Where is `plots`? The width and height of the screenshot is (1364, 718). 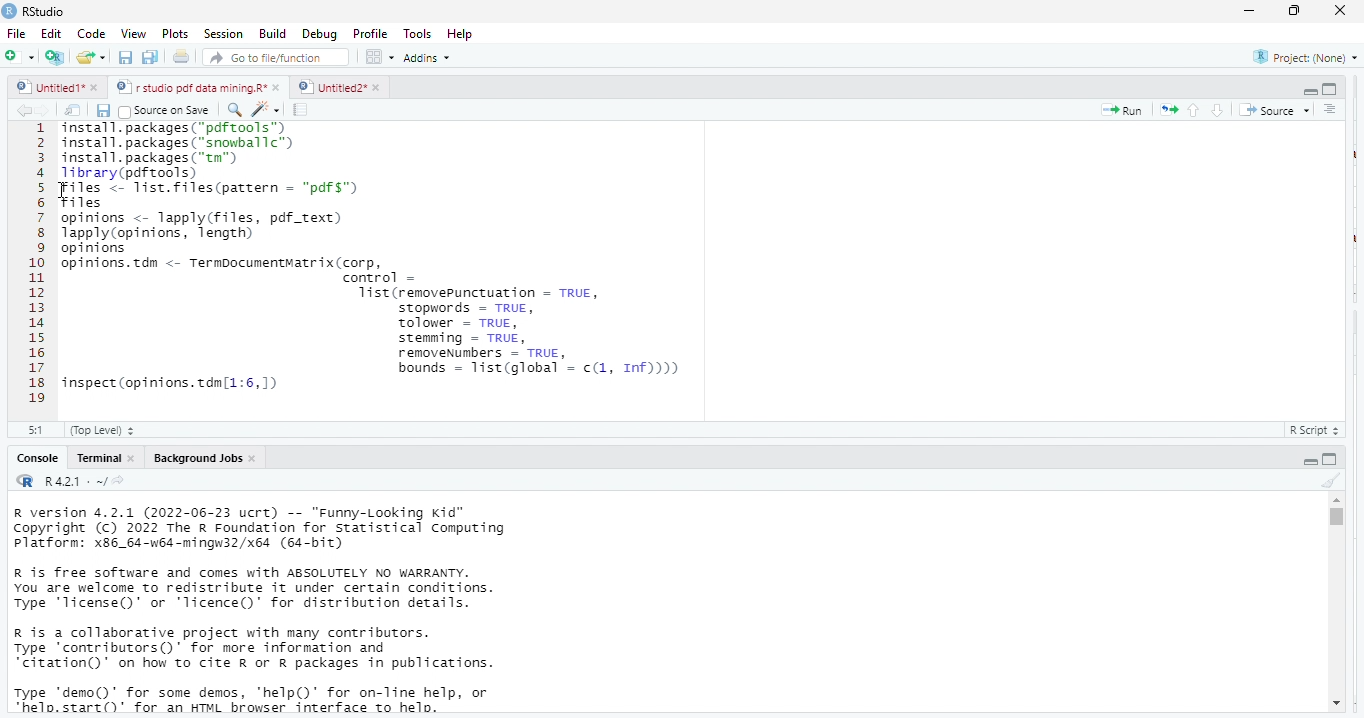
plots is located at coordinates (175, 34).